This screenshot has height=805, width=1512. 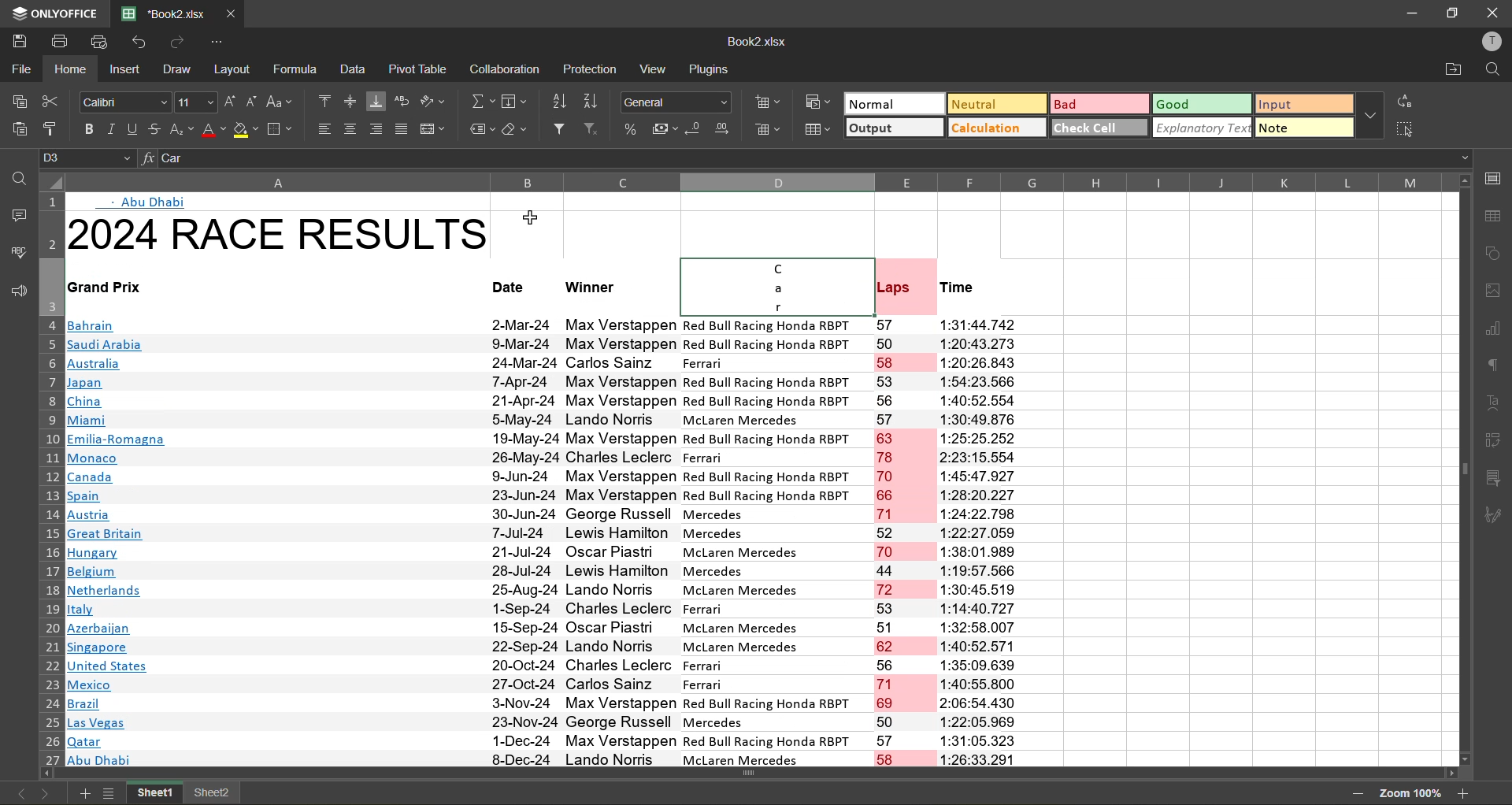 What do you see at coordinates (155, 793) in the screenshot?
I see `sheet 1` at bounding box center [155, 793].